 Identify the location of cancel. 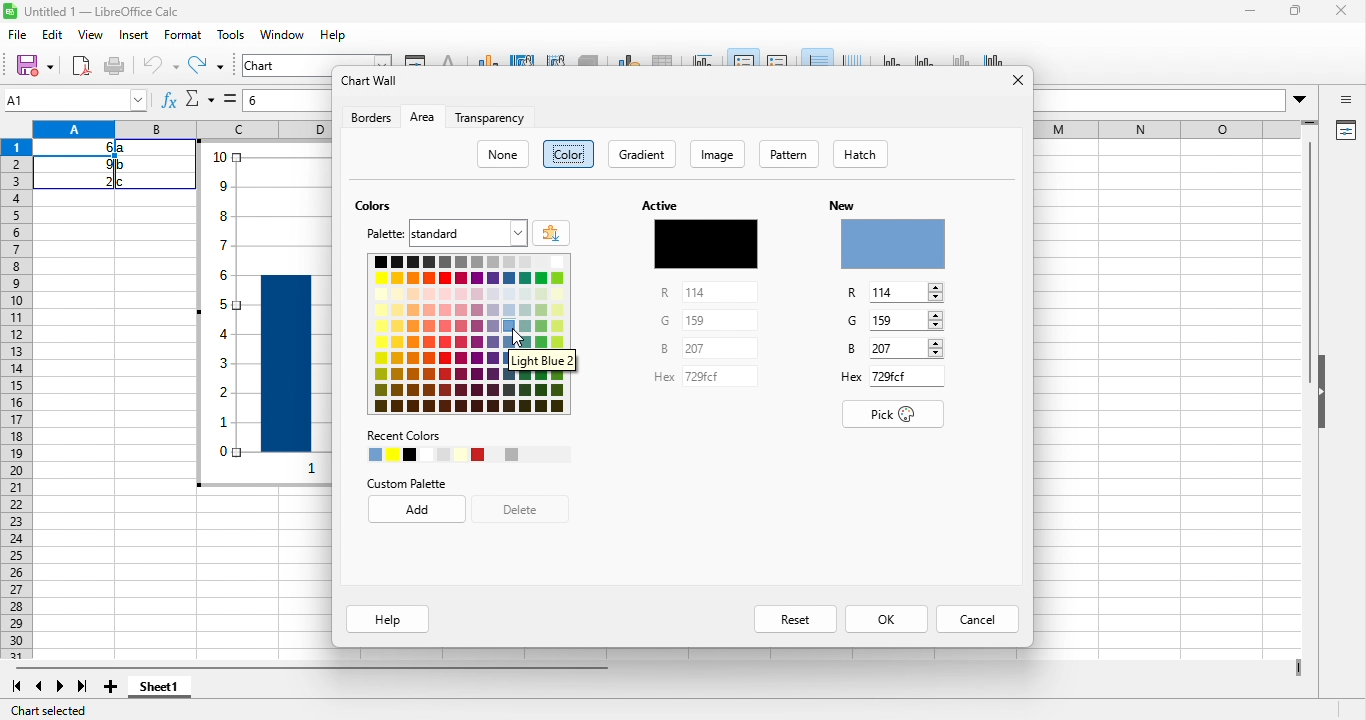
(980, 617).